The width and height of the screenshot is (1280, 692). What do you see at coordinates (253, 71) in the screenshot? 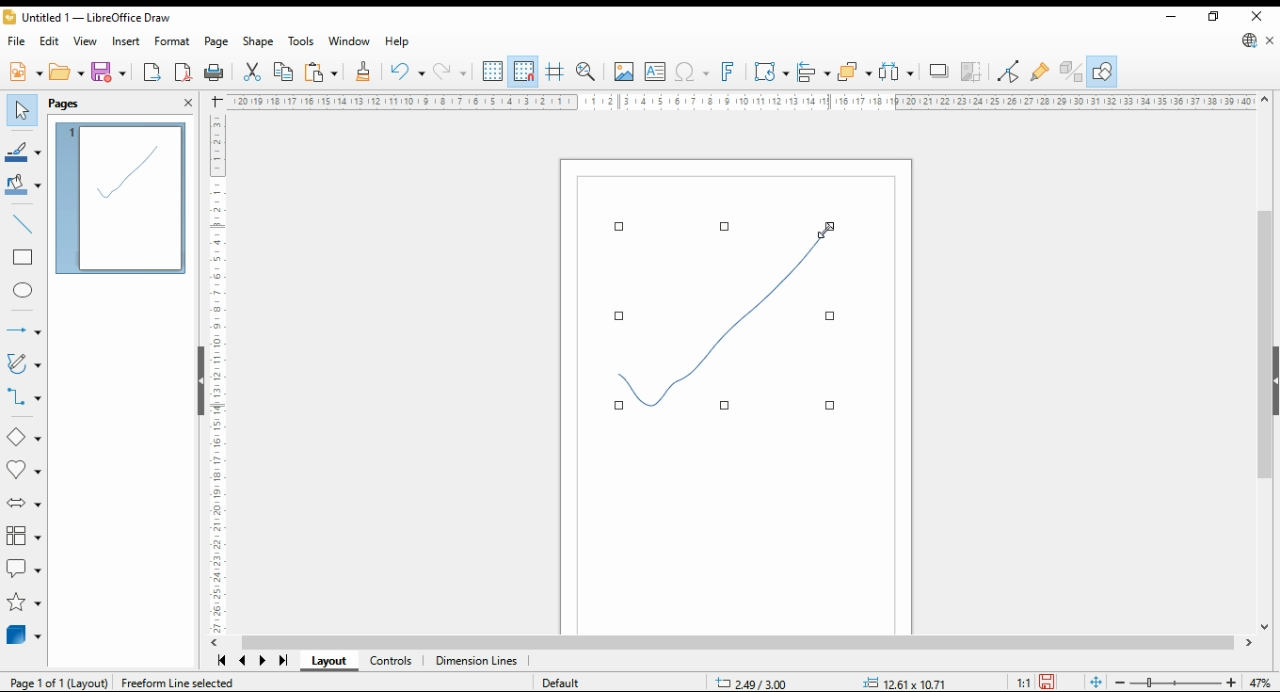
I see `cut` at bounding box center [253, 71].